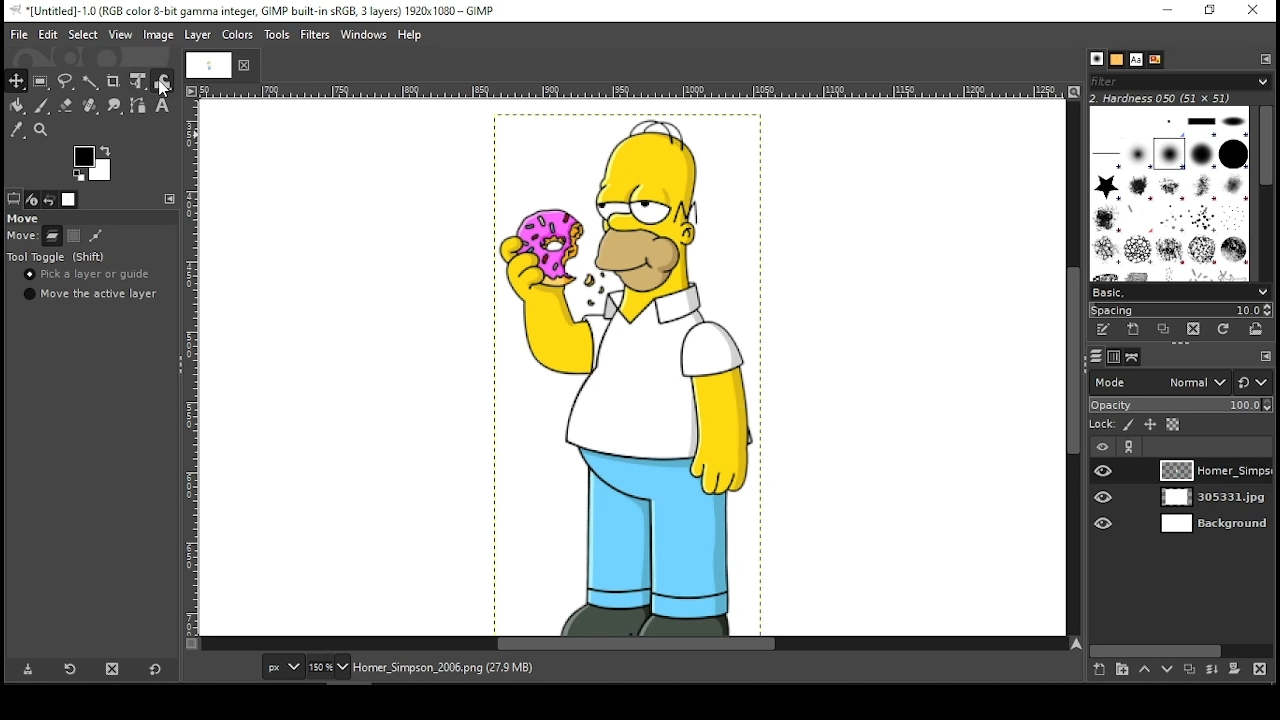 The image size is (1280, 720). Describe the element at coordinates (160, 35) in the screenshot. I see `image` at that location.